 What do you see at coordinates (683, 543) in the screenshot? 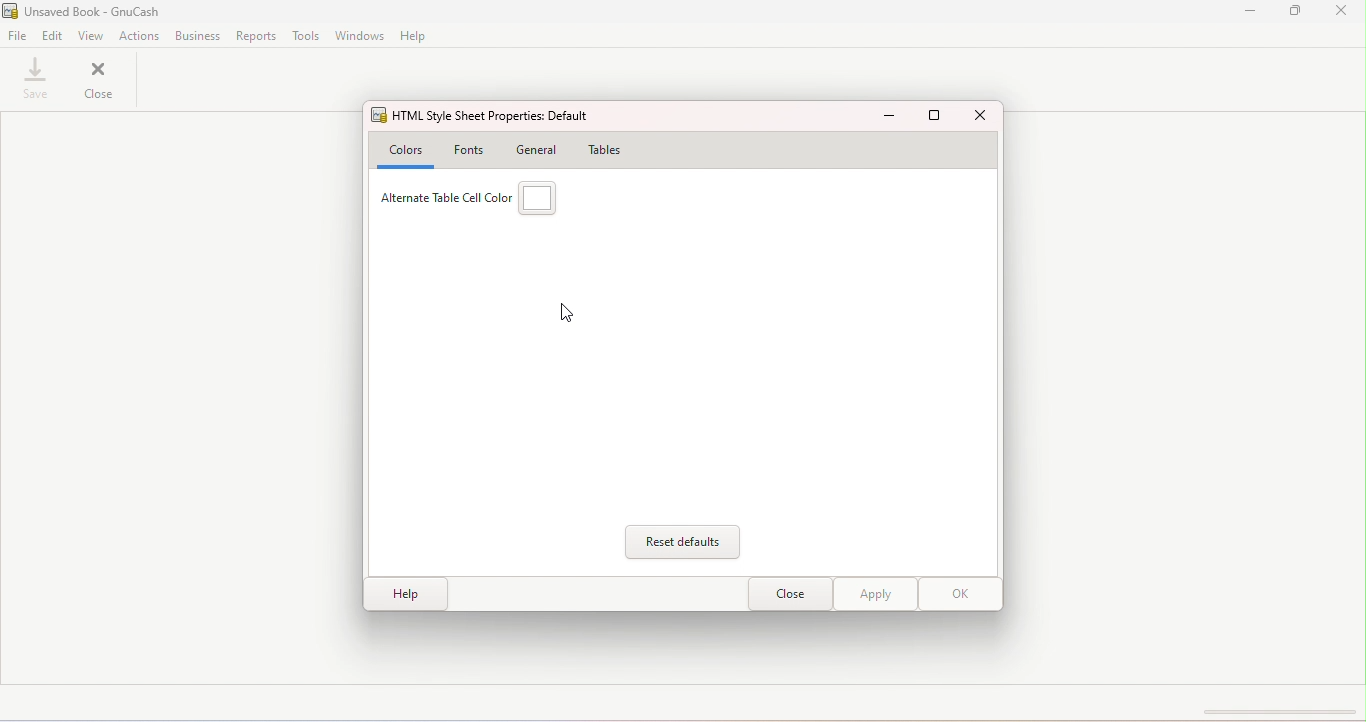
I see `Reset defaults` at bounding box center [683, 543].